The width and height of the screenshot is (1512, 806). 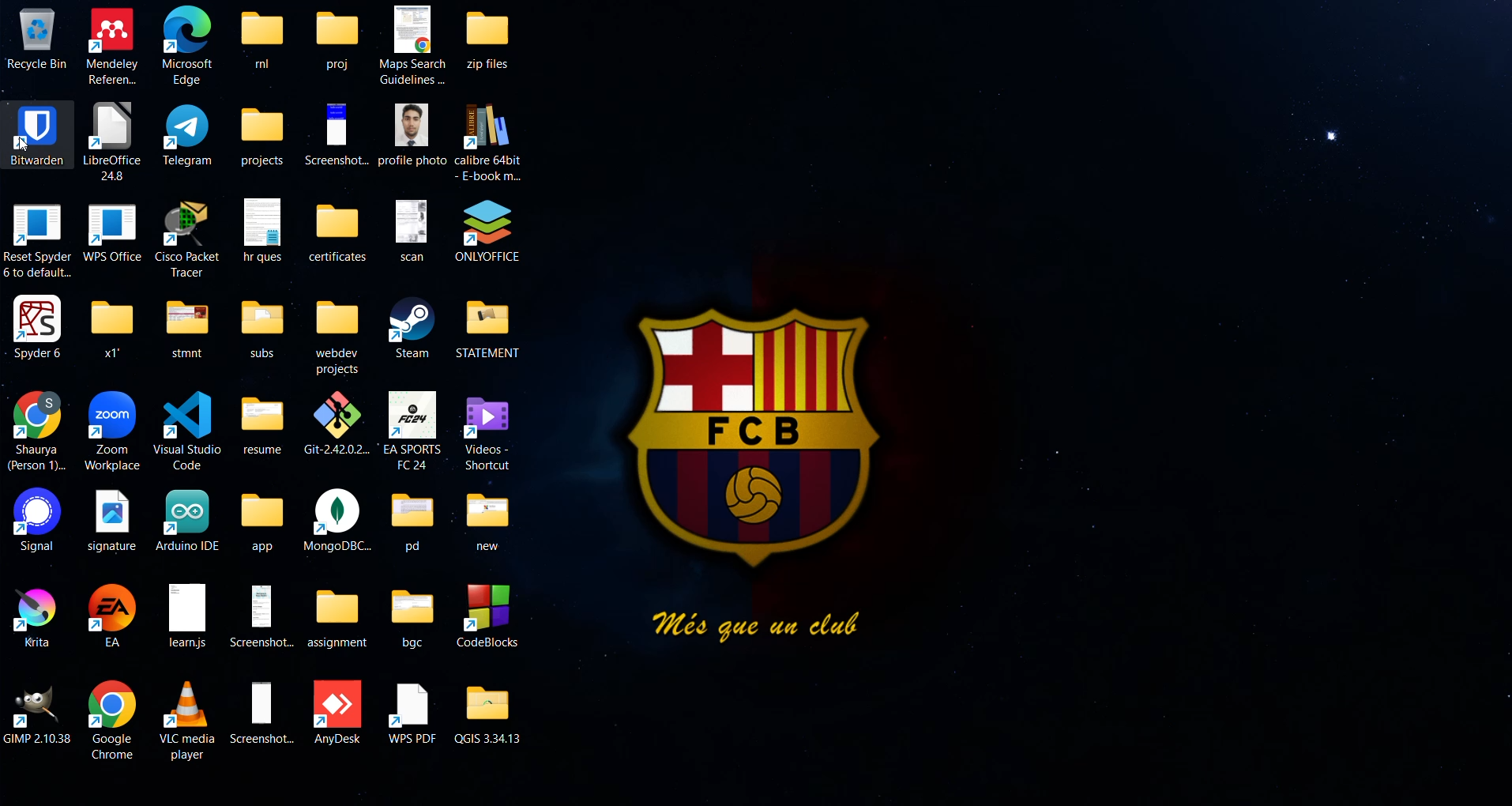 What do you see at coordinates (38, 326) in the screenshot?
I see `Spyder 6` at bounding box center [38, 326].